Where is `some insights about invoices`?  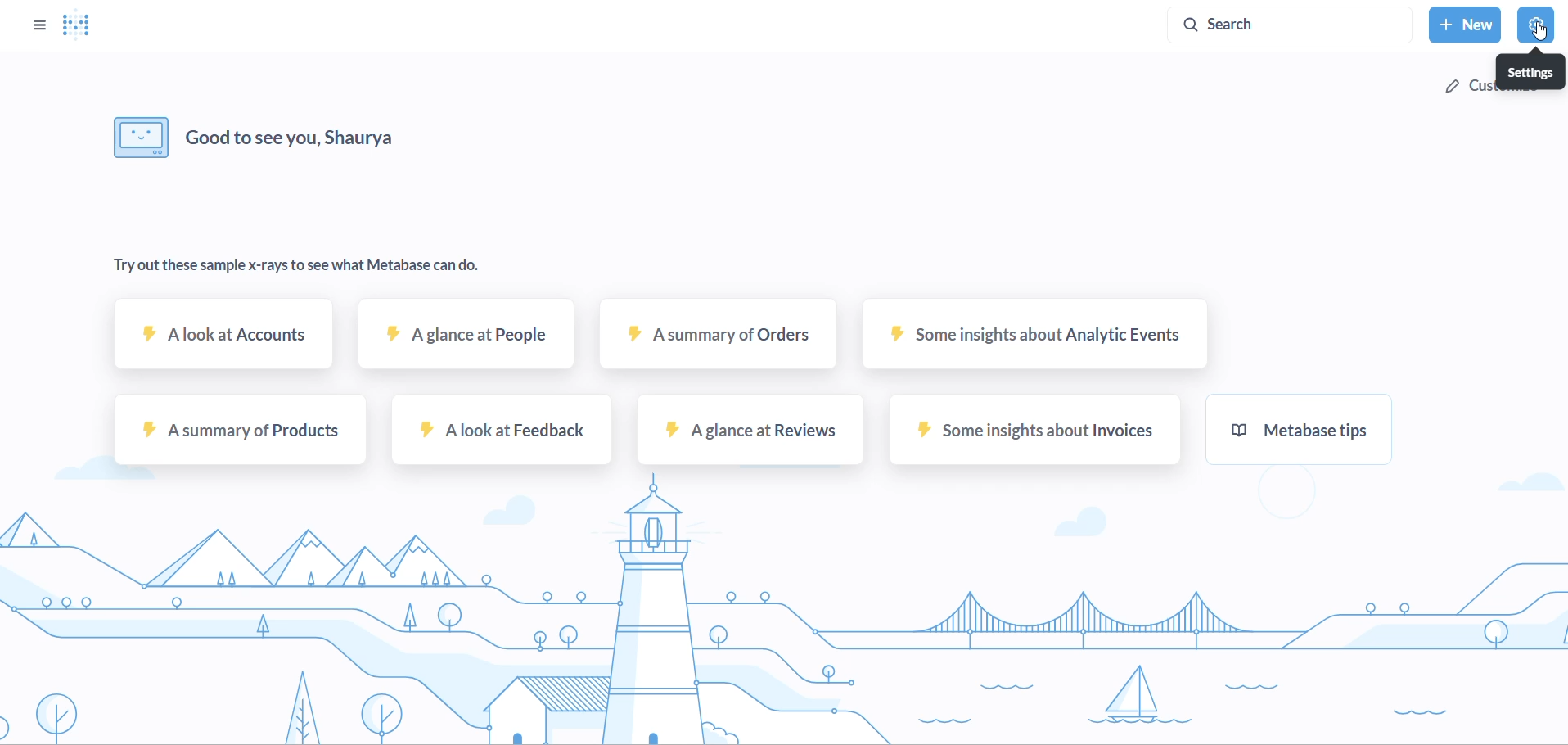 some insights about invoices is located at coordinates (1030, 436).